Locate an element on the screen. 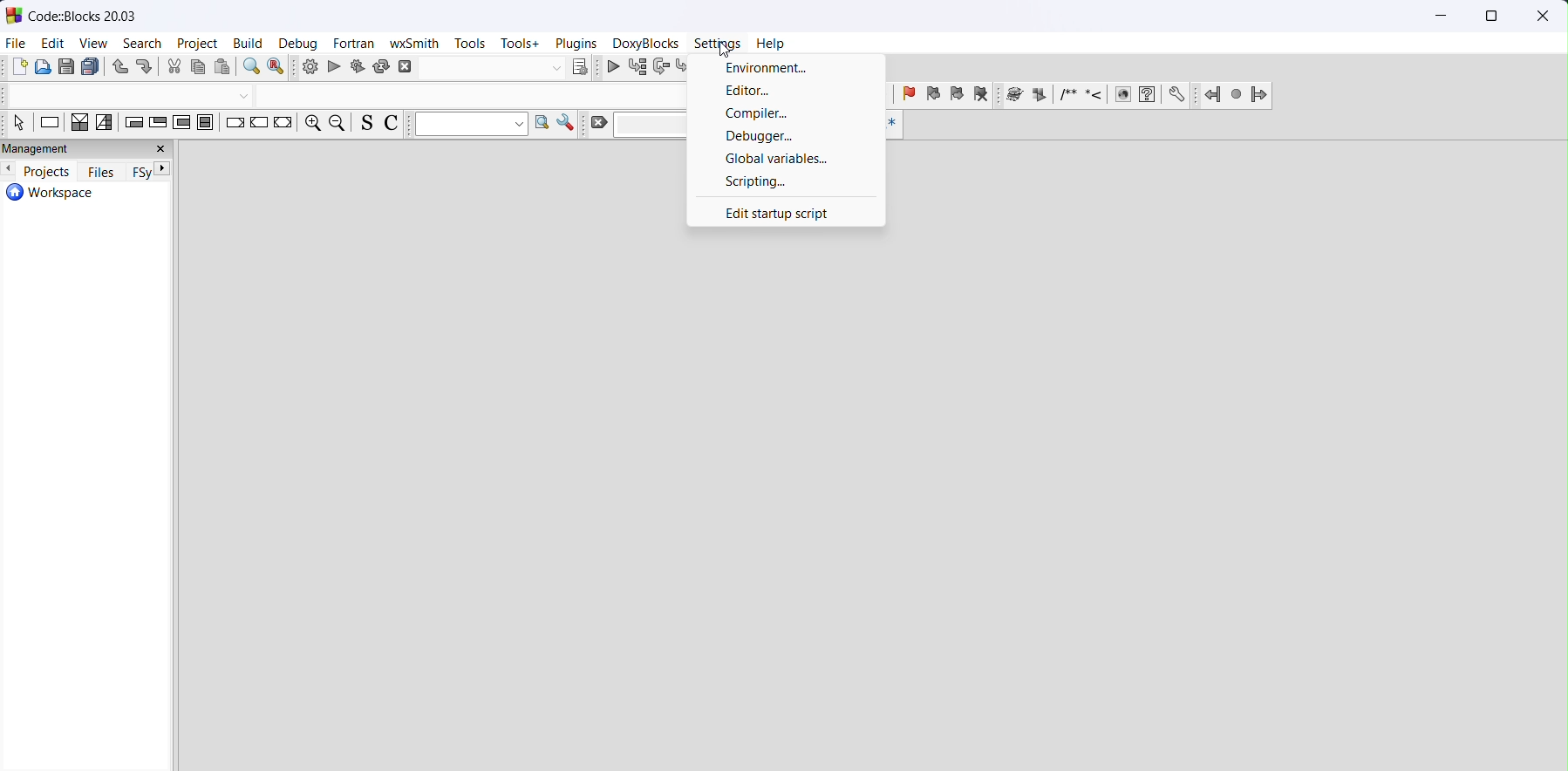 The width and height of the screenshot is (1568, 771). doxyBlocks is located at coordinates (646, 44).